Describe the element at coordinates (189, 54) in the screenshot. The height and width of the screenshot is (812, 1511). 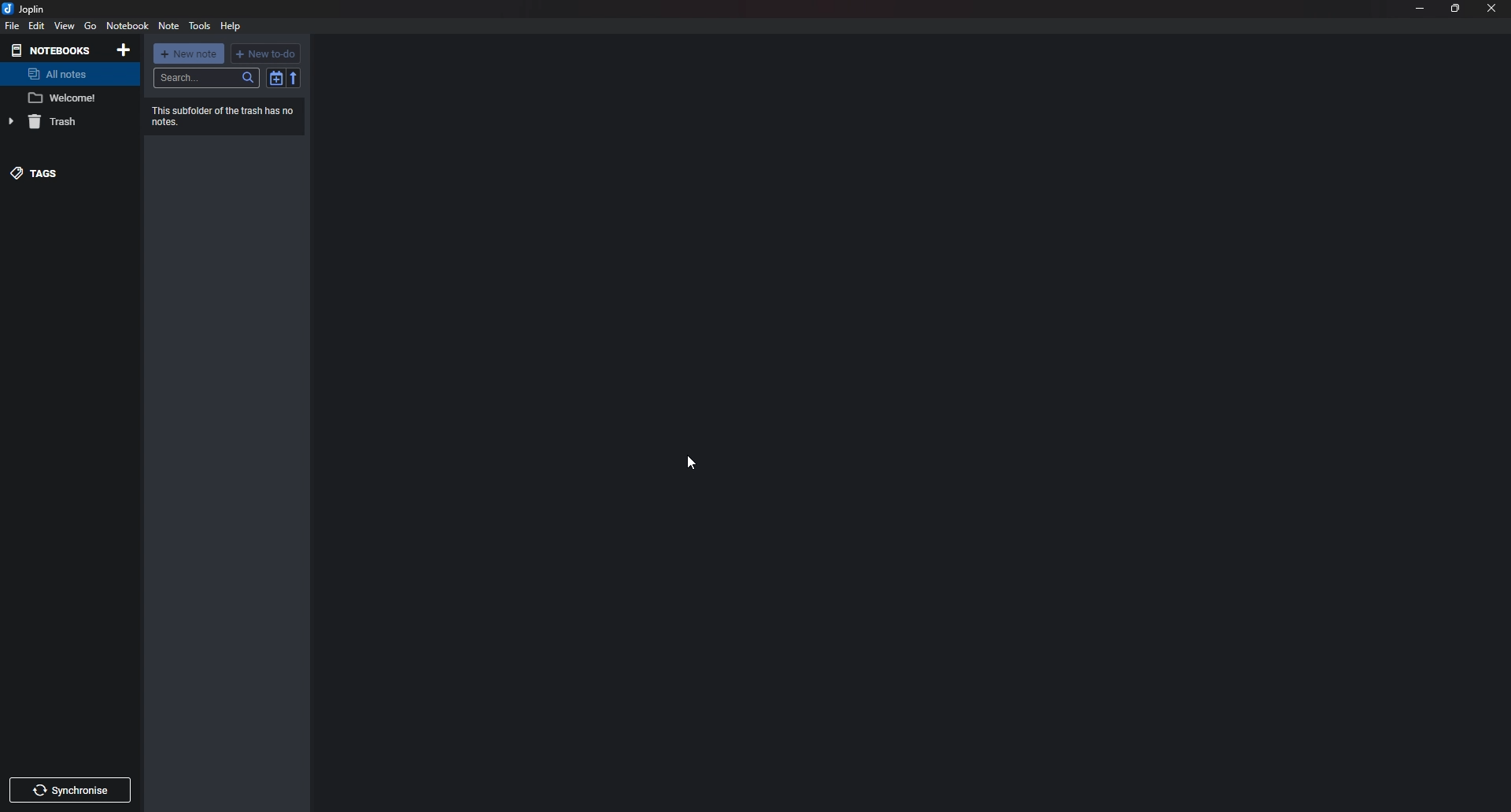
I see `New note` at that location.